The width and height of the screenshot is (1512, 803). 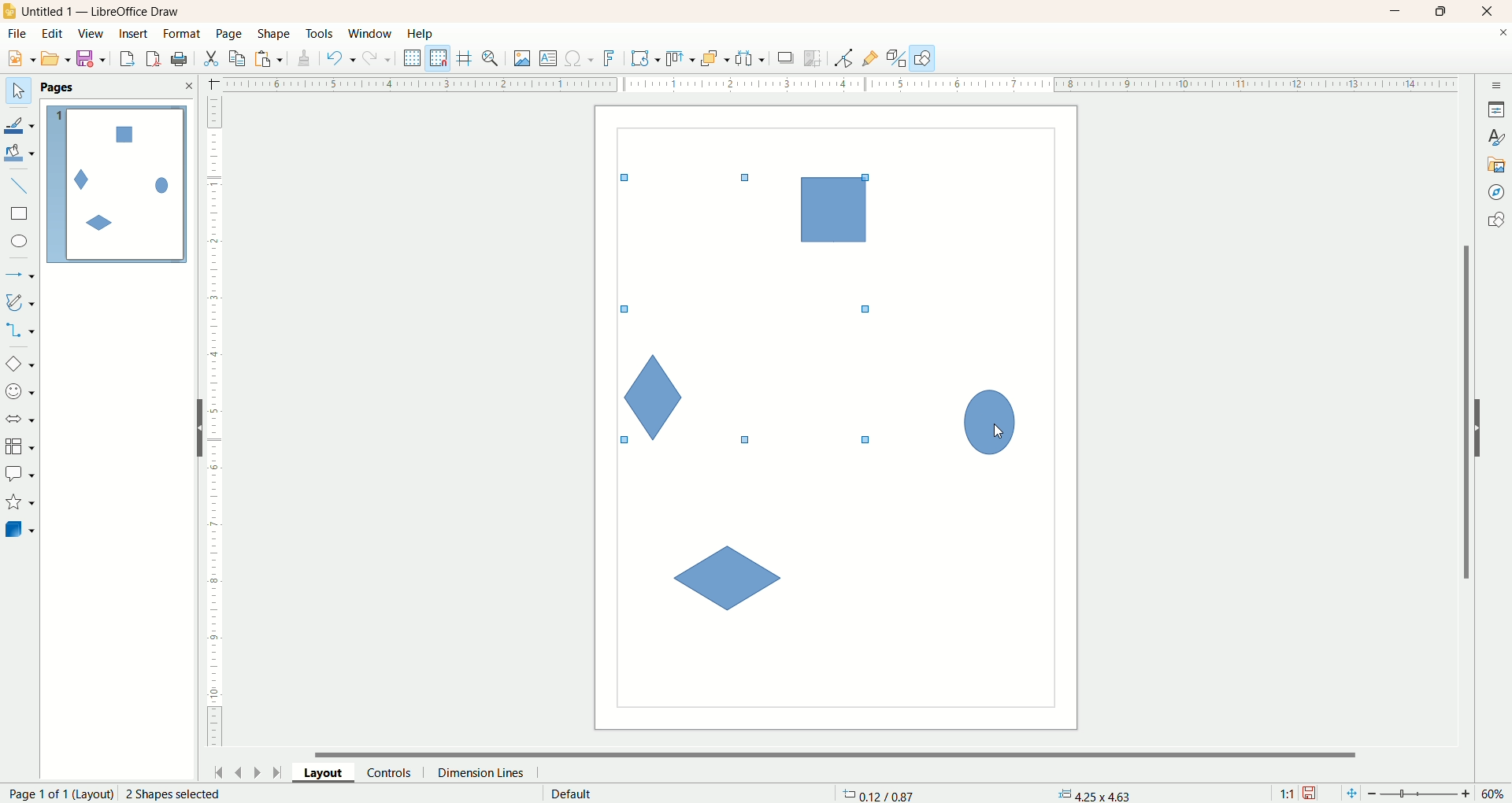 I want to click on flowchart, so click(x=20, y=447).